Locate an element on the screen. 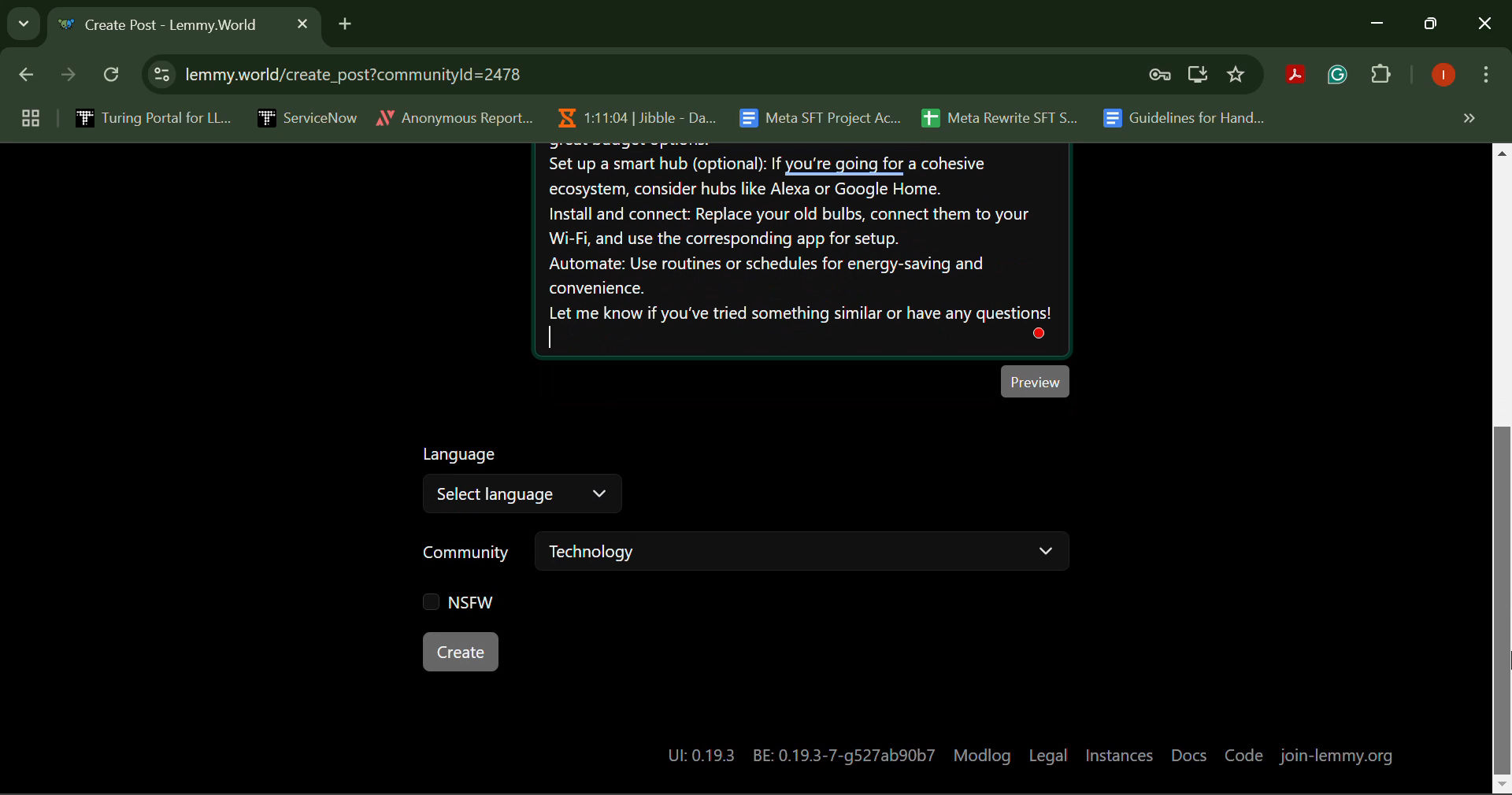 The height and width of the screenshot is (795, 1512). Preview Post Button is located at coordinates (1036, 383).